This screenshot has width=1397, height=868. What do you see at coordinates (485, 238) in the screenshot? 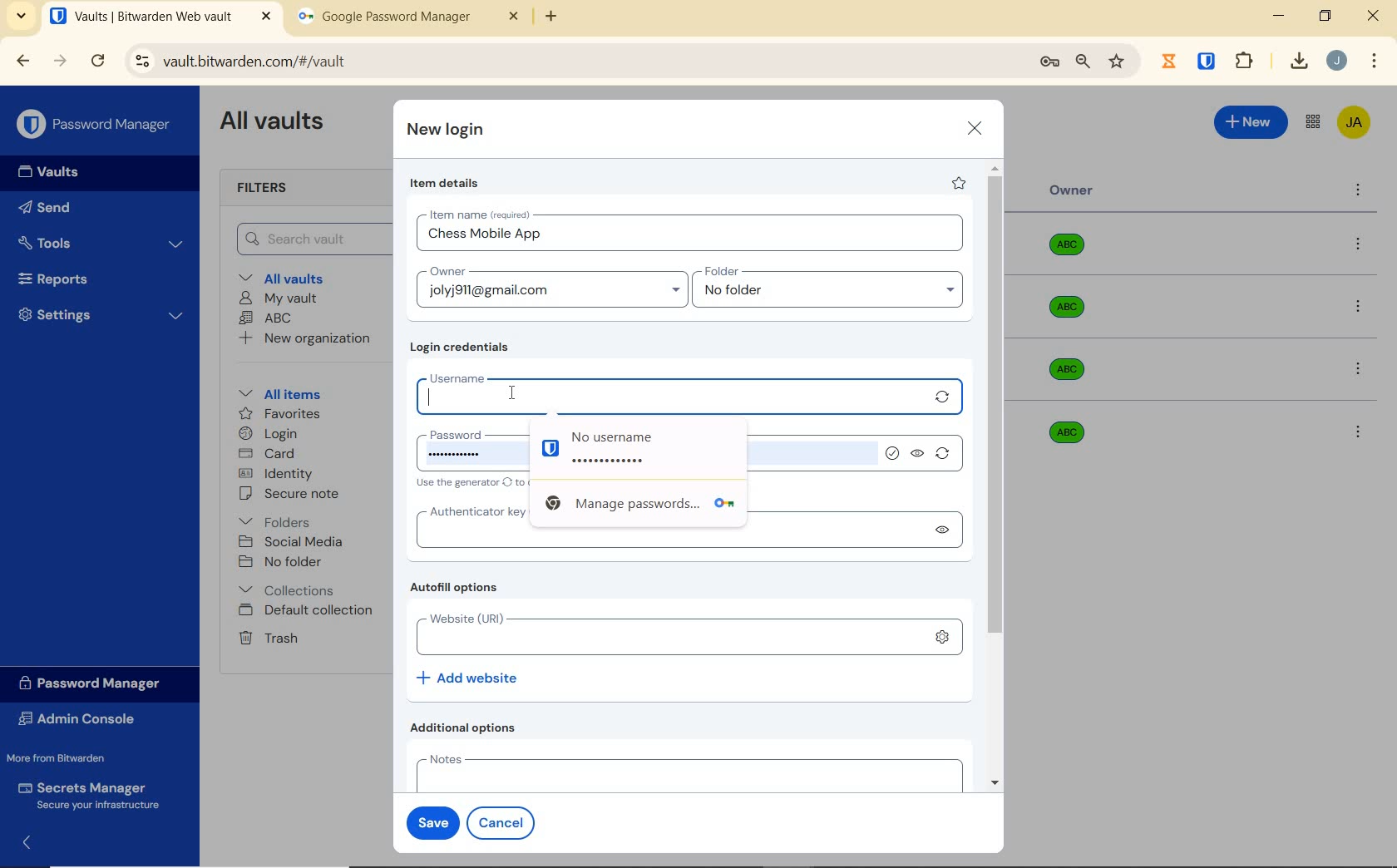
I see `login name` at bounding box center [485, 238].